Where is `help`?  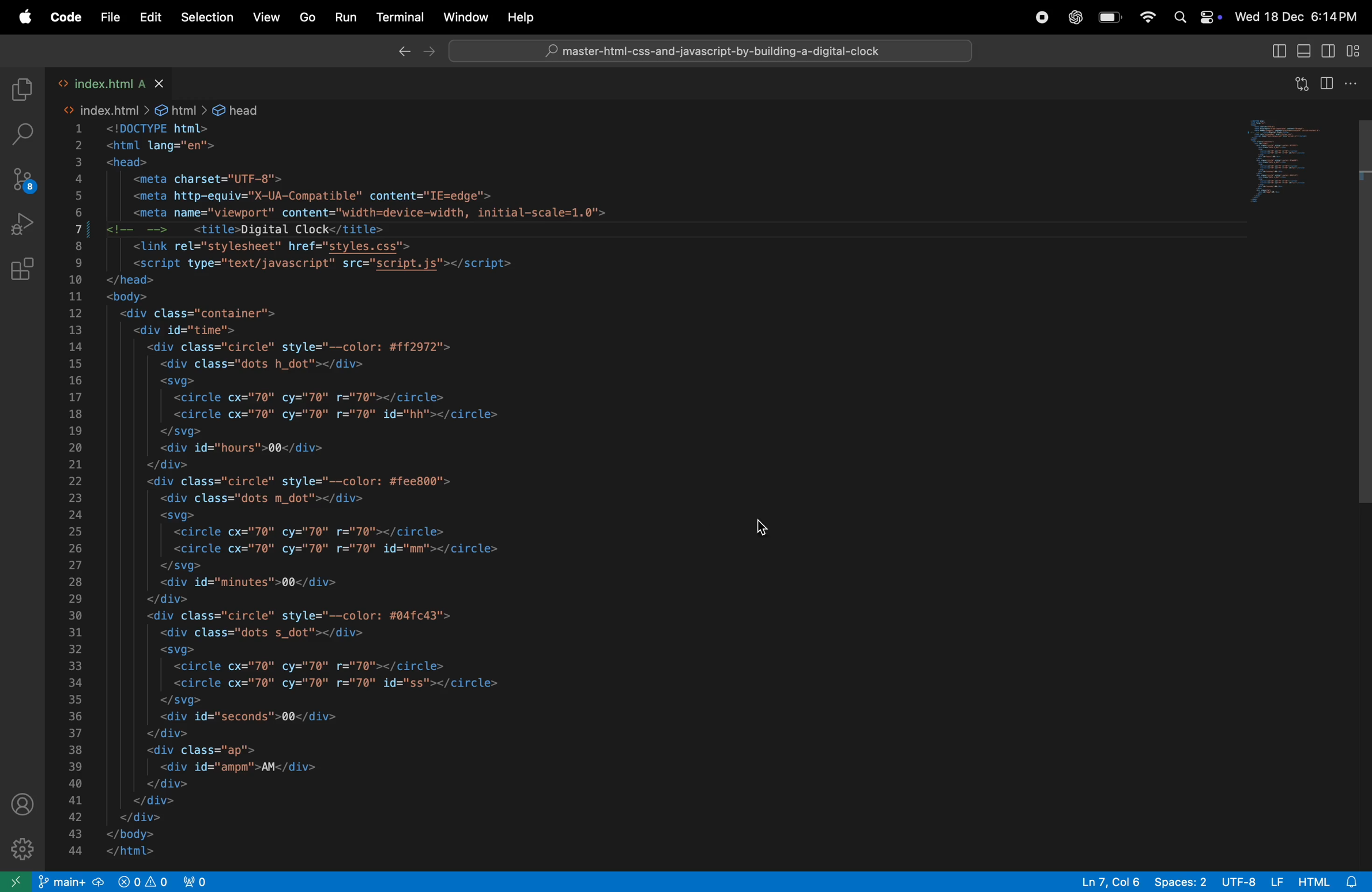
help is located at coordinates (520, 18).